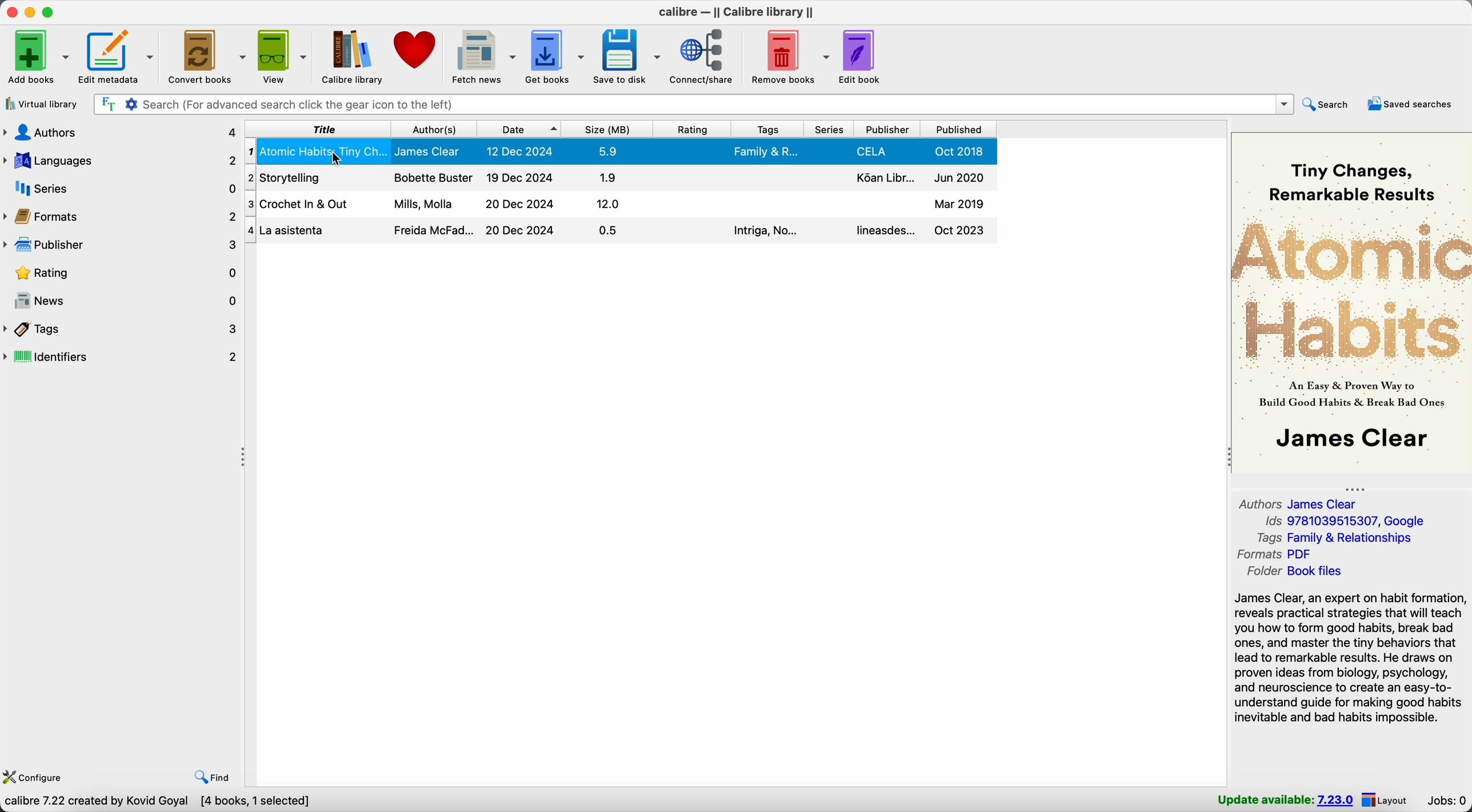 The height and width of the screenshot is (812, 1472). Describe the element at coordinates (1334, 538) in the screenshot. I see `tags` at that location.